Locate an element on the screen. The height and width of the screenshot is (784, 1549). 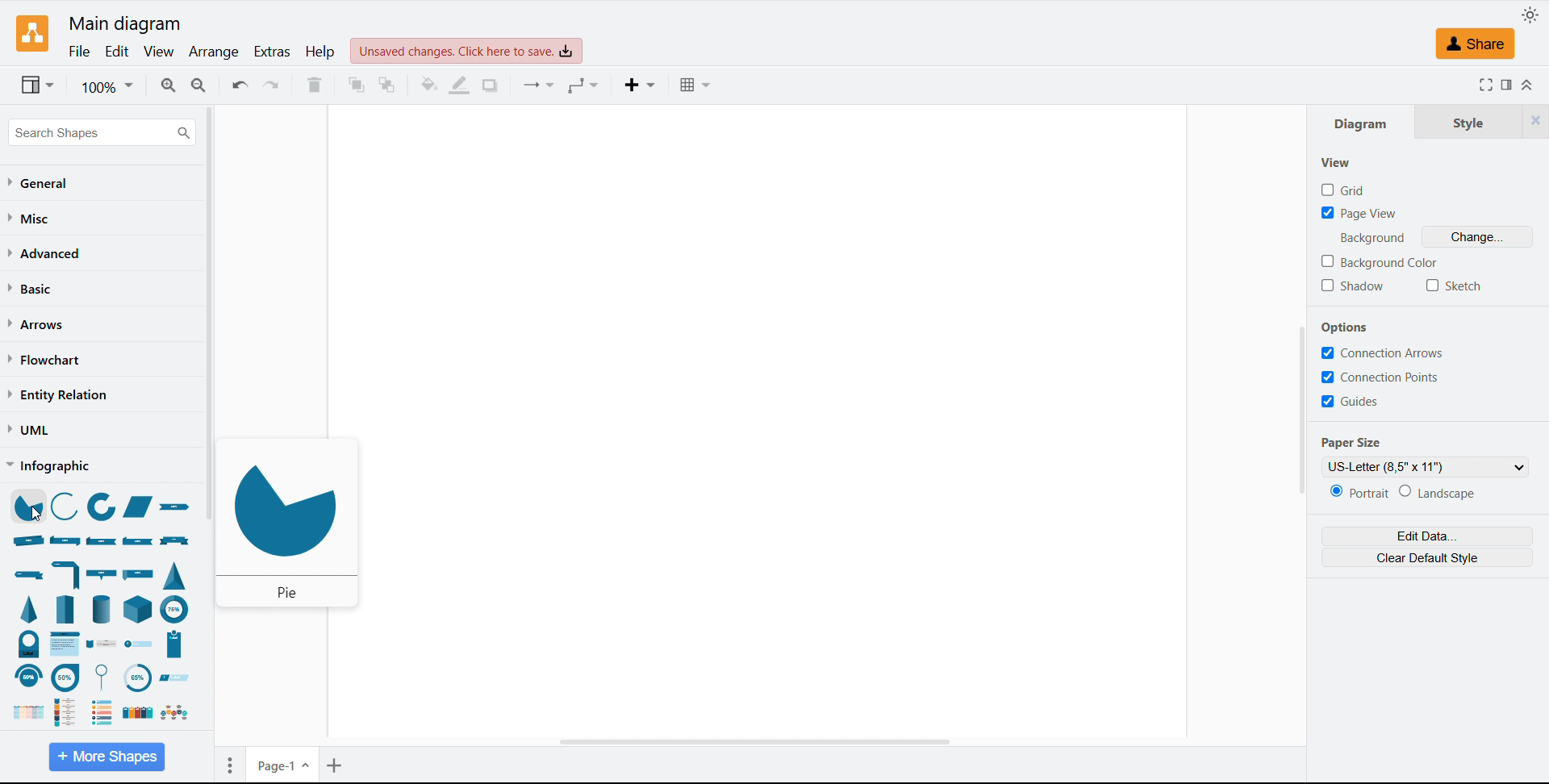
Options  is located at coordinates (1347, 327).